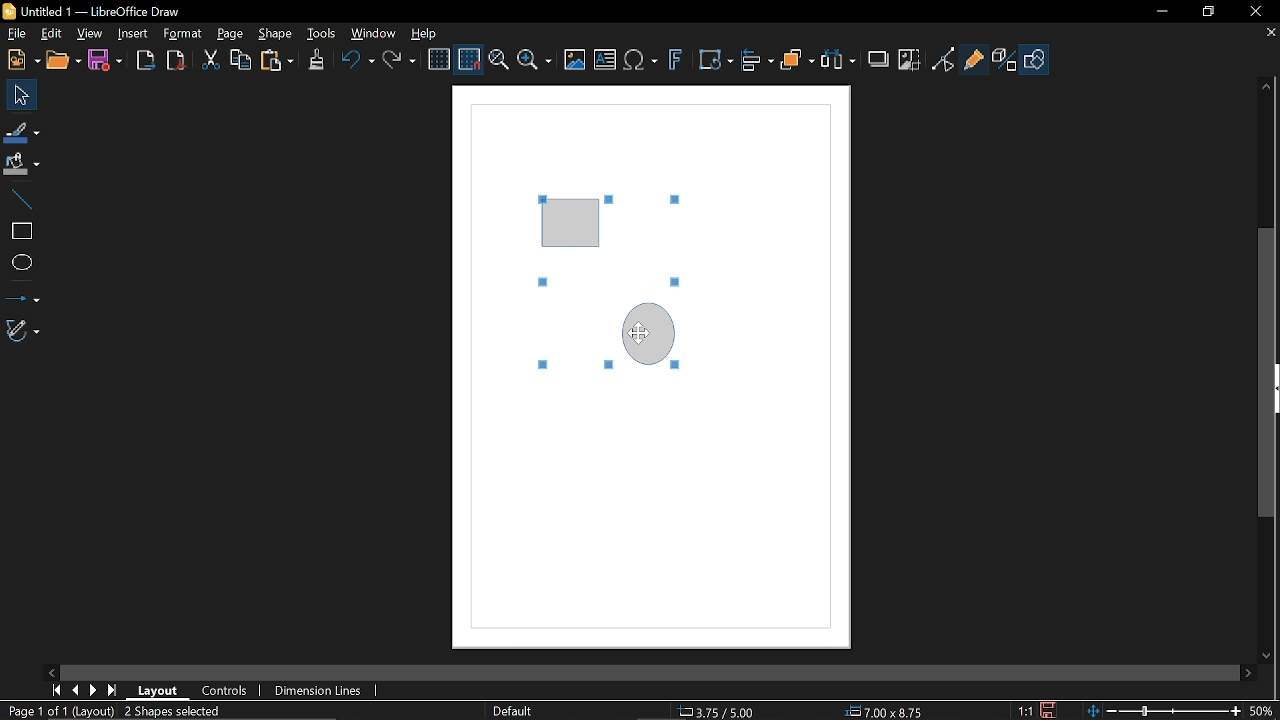 Image resolution: width=1280 pixels, height=720 pixels. What do you see at coordinates (1267, 657) in the screenshot?
I see `Move down` at bounding box center [1267, 657].